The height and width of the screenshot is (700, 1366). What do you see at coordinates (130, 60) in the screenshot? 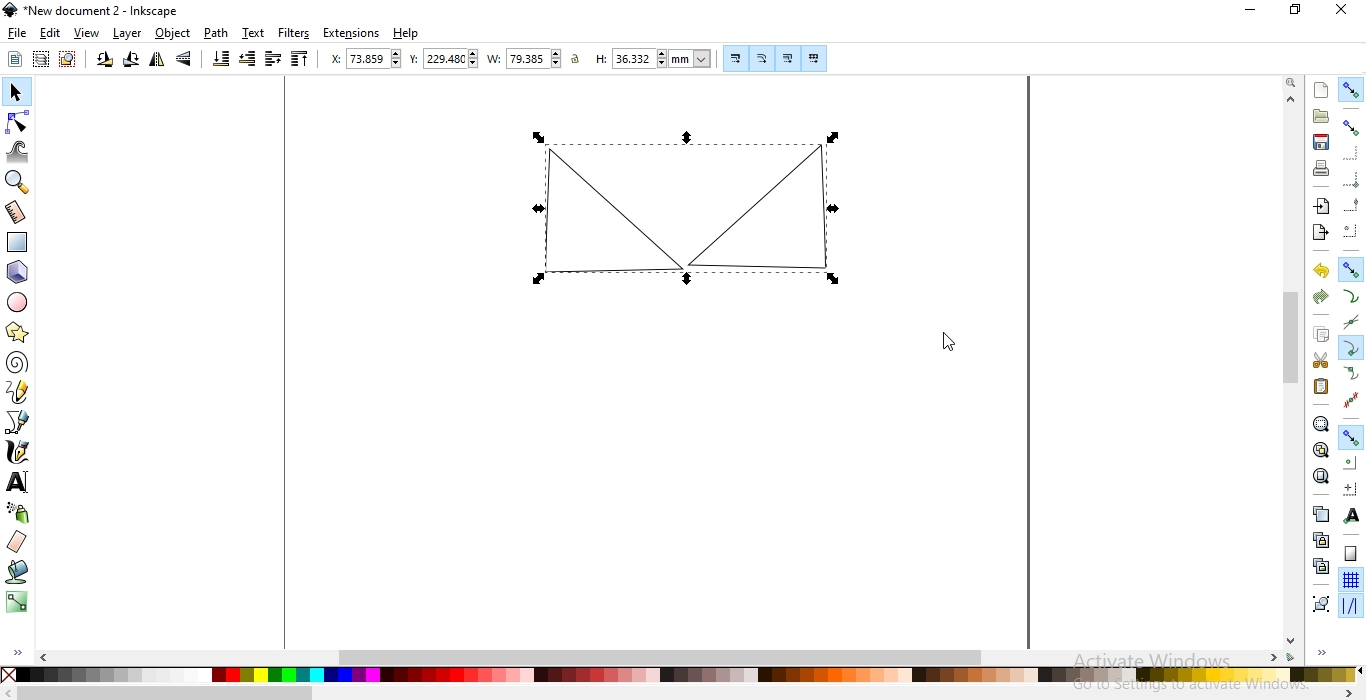
I see `rotate 90 clockwise` at bounding box center [130, 60].